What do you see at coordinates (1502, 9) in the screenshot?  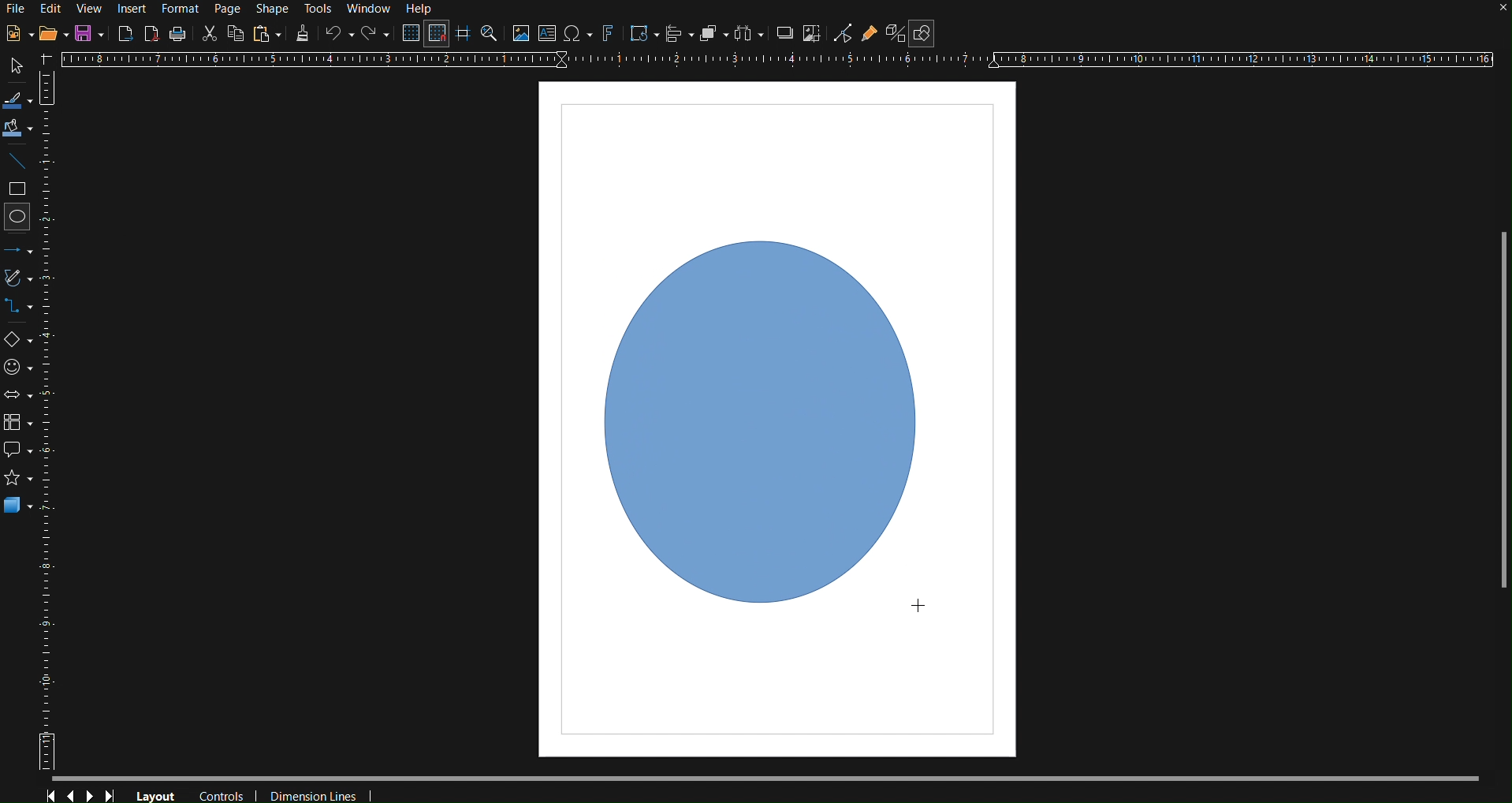 I see `close` at bounding box center [1502, 9].